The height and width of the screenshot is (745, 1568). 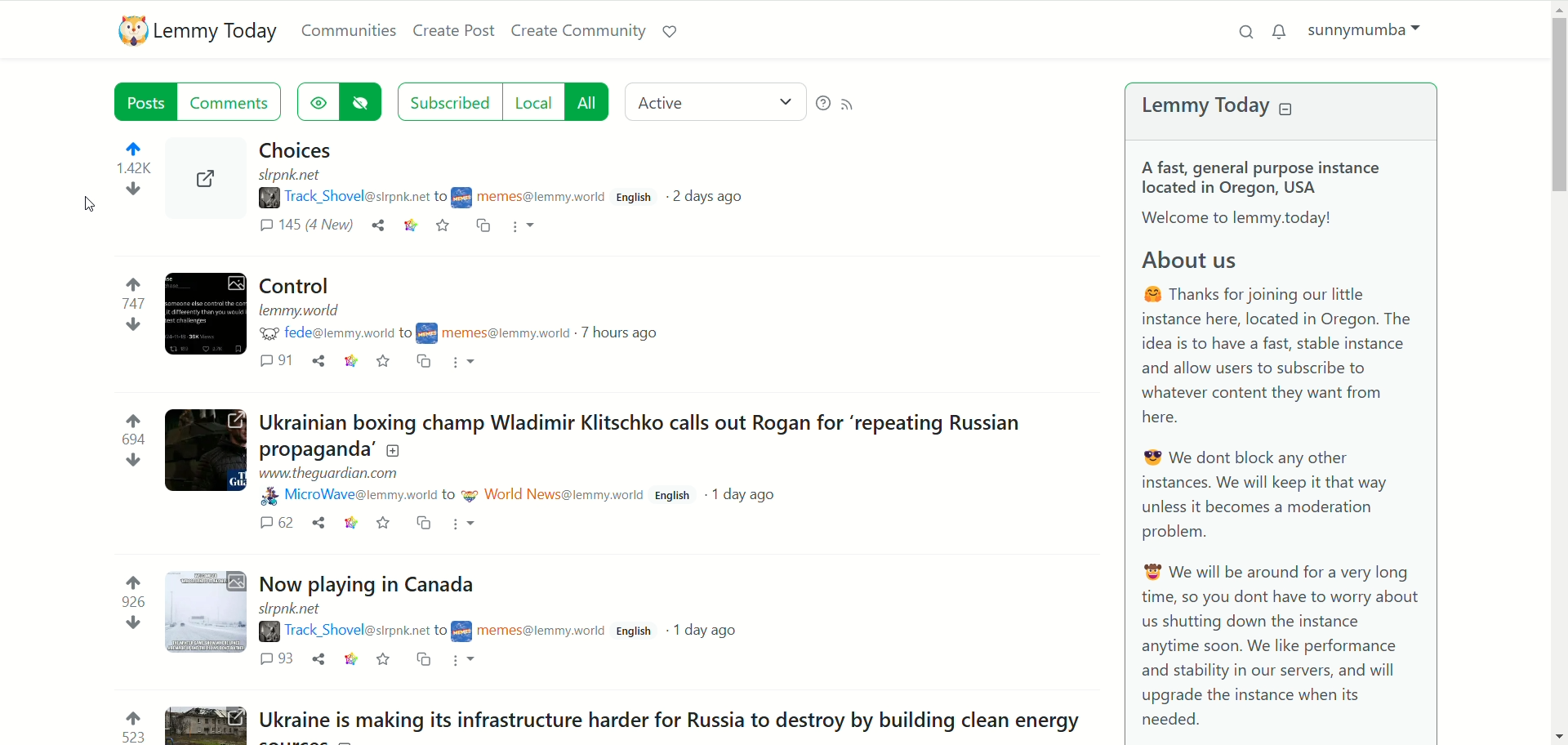 I want to click on URL, so click(x=298, y=176).